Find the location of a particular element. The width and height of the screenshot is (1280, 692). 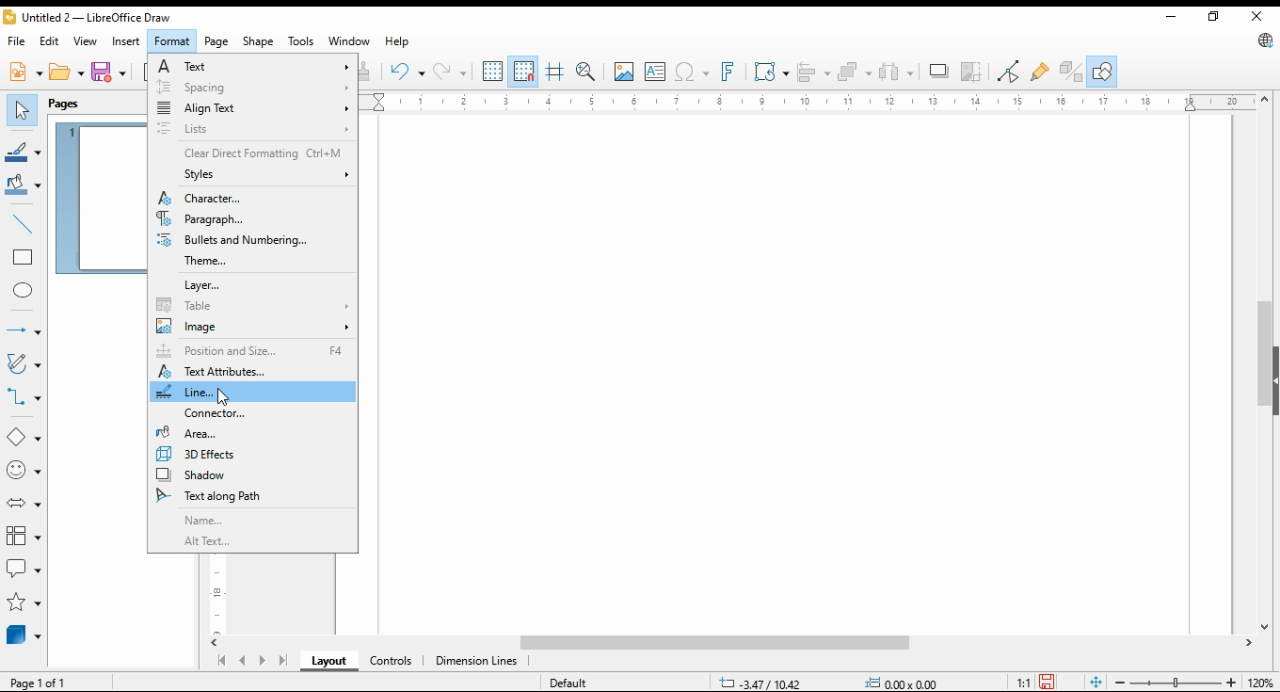

shape is located at coordinates (259, 41).